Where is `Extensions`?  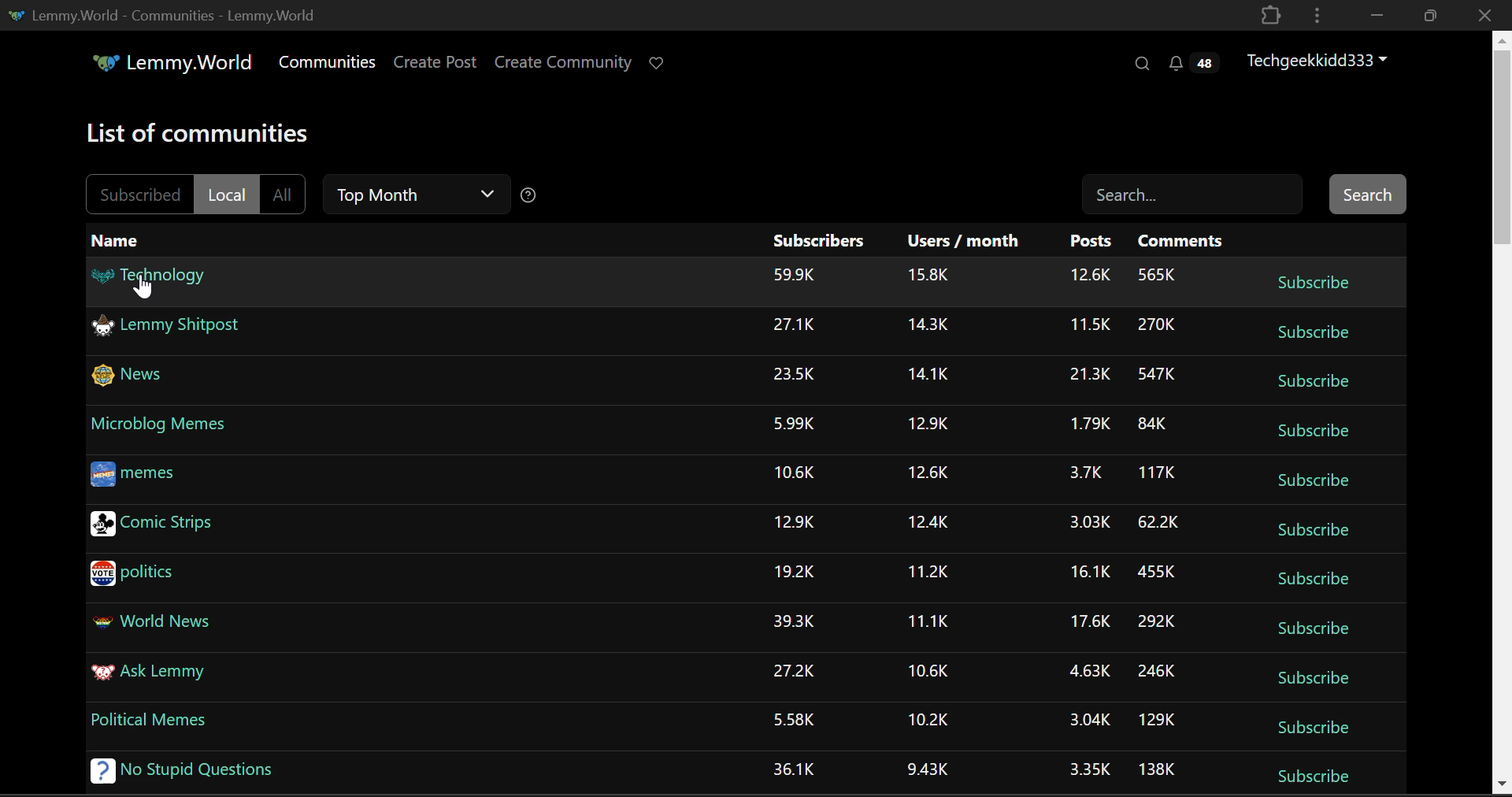 Extensions is located at coordinates (1271, 17).